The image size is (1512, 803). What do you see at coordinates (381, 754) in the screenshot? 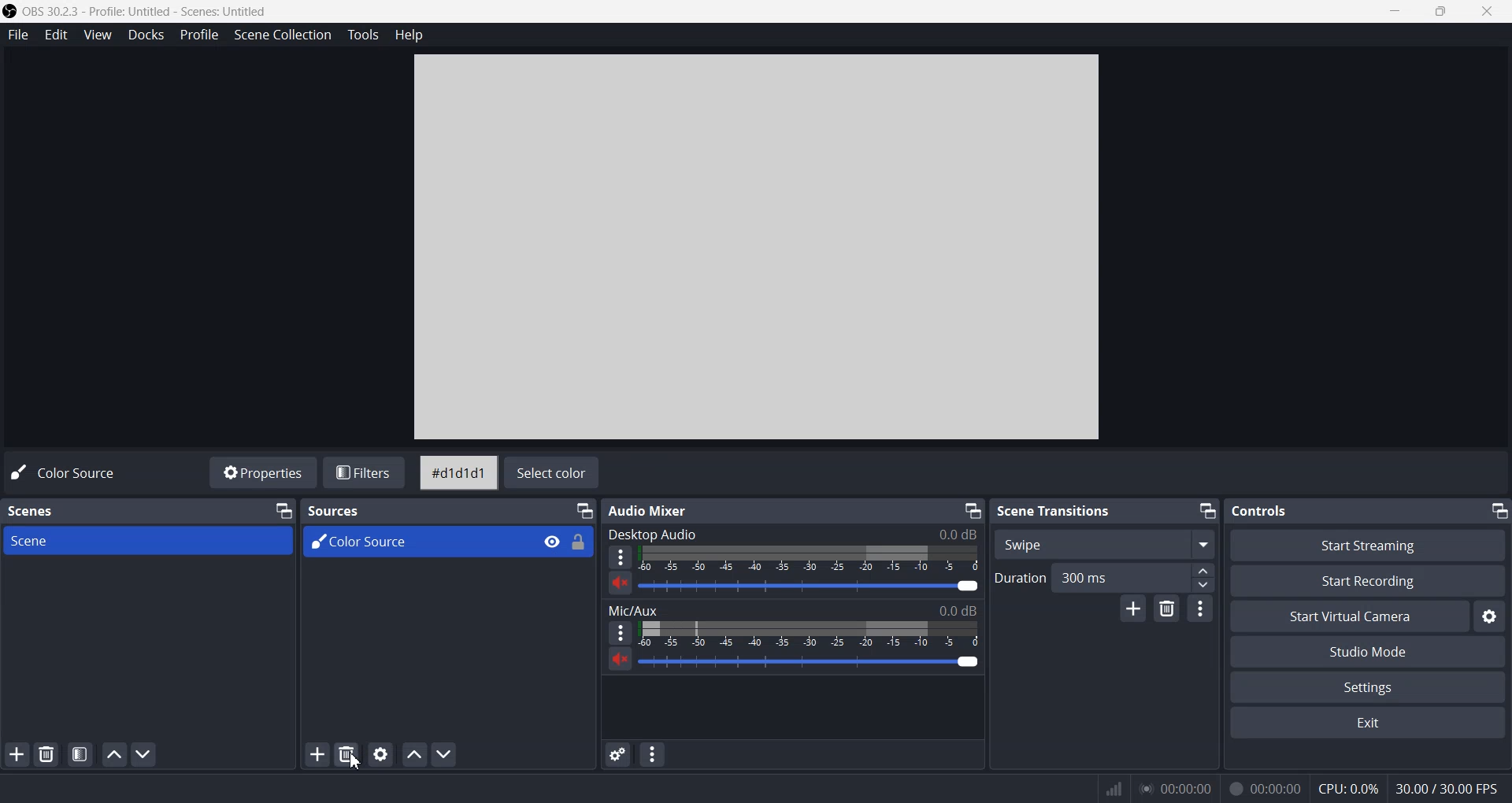
I see `Open source Properties` at bounding box center [381, 754].